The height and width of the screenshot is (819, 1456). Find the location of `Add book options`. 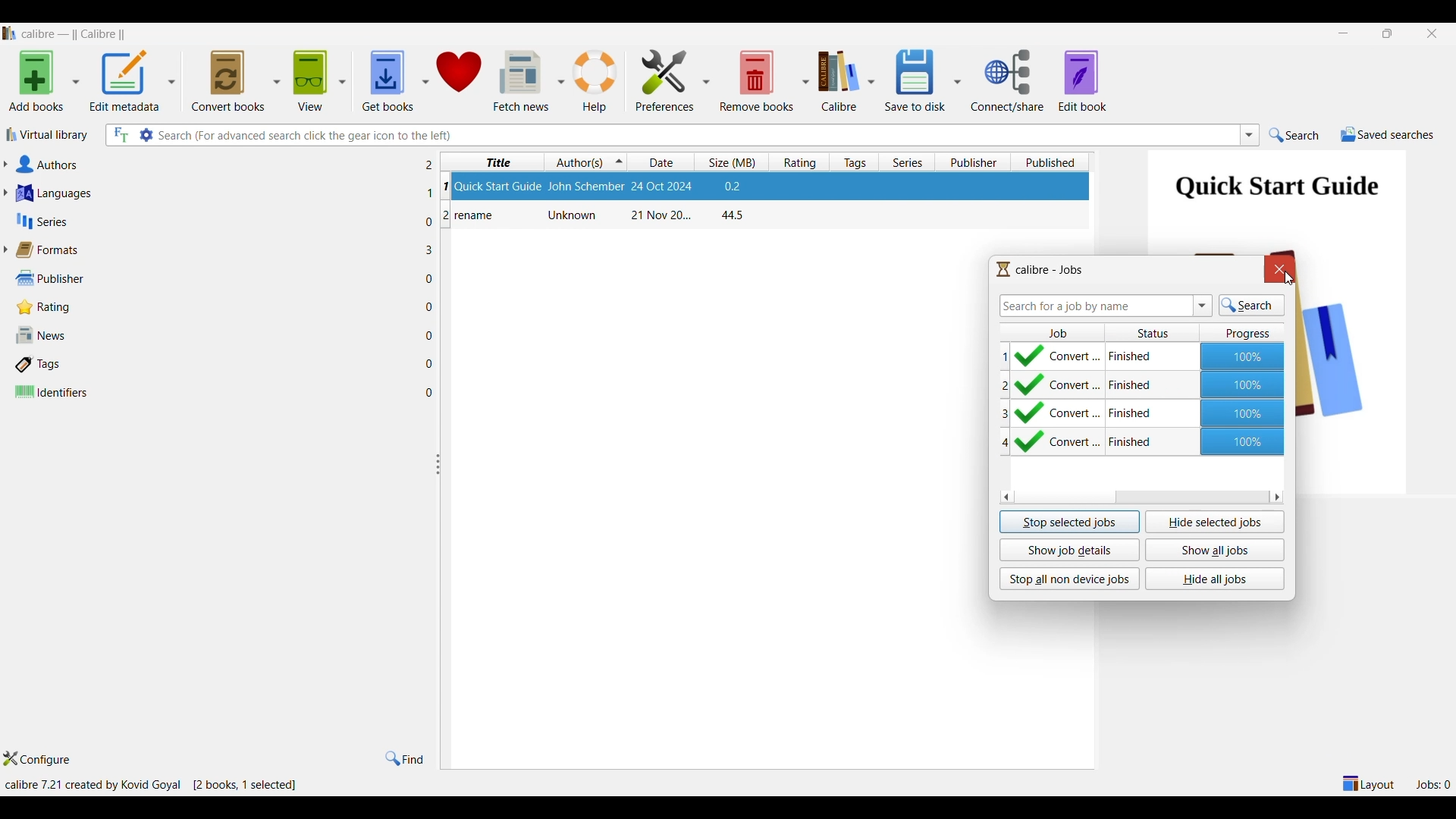

Add book options is located at coordinates (75, 82).